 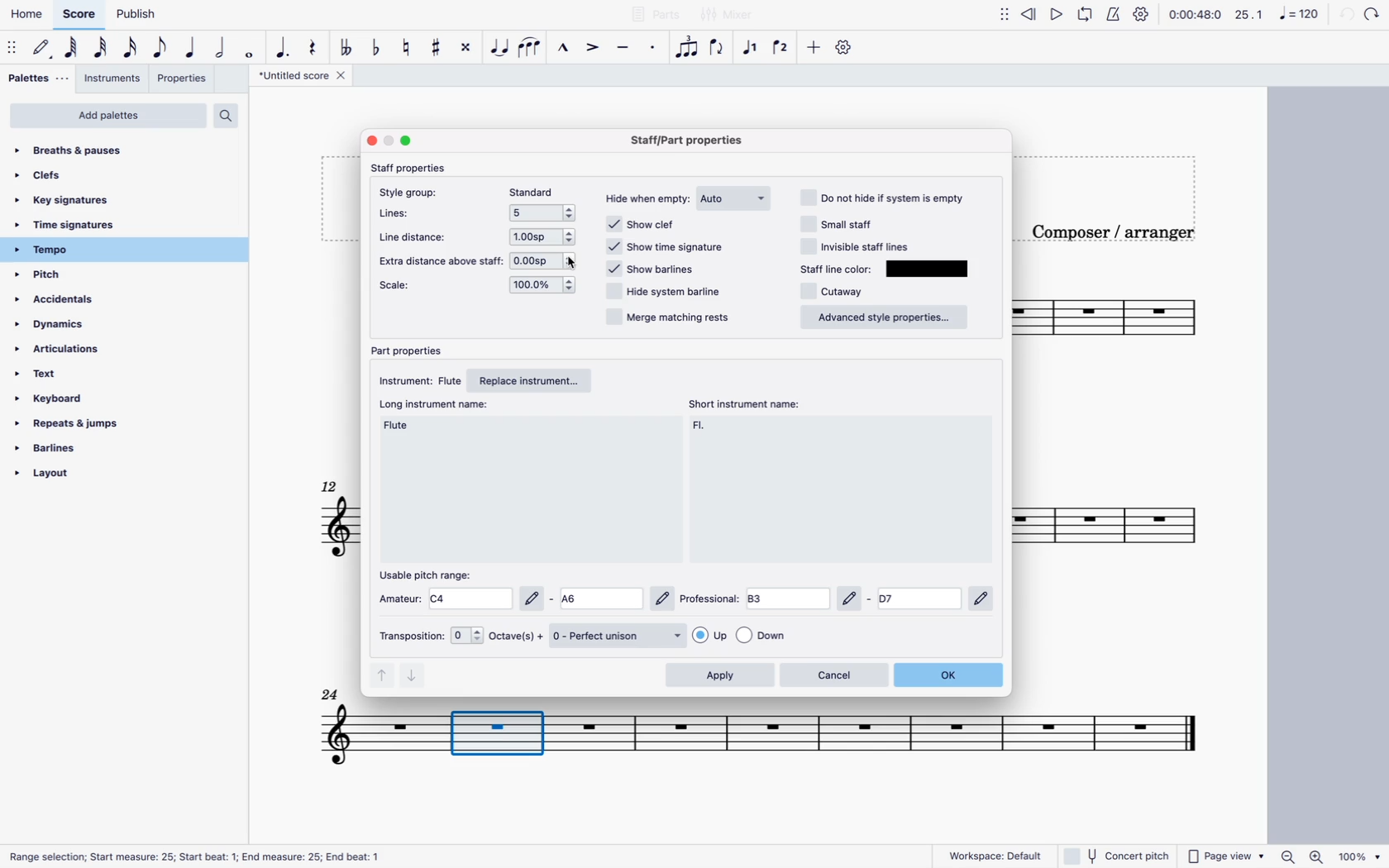 I want to click on layout, so click(x=76, y=475).